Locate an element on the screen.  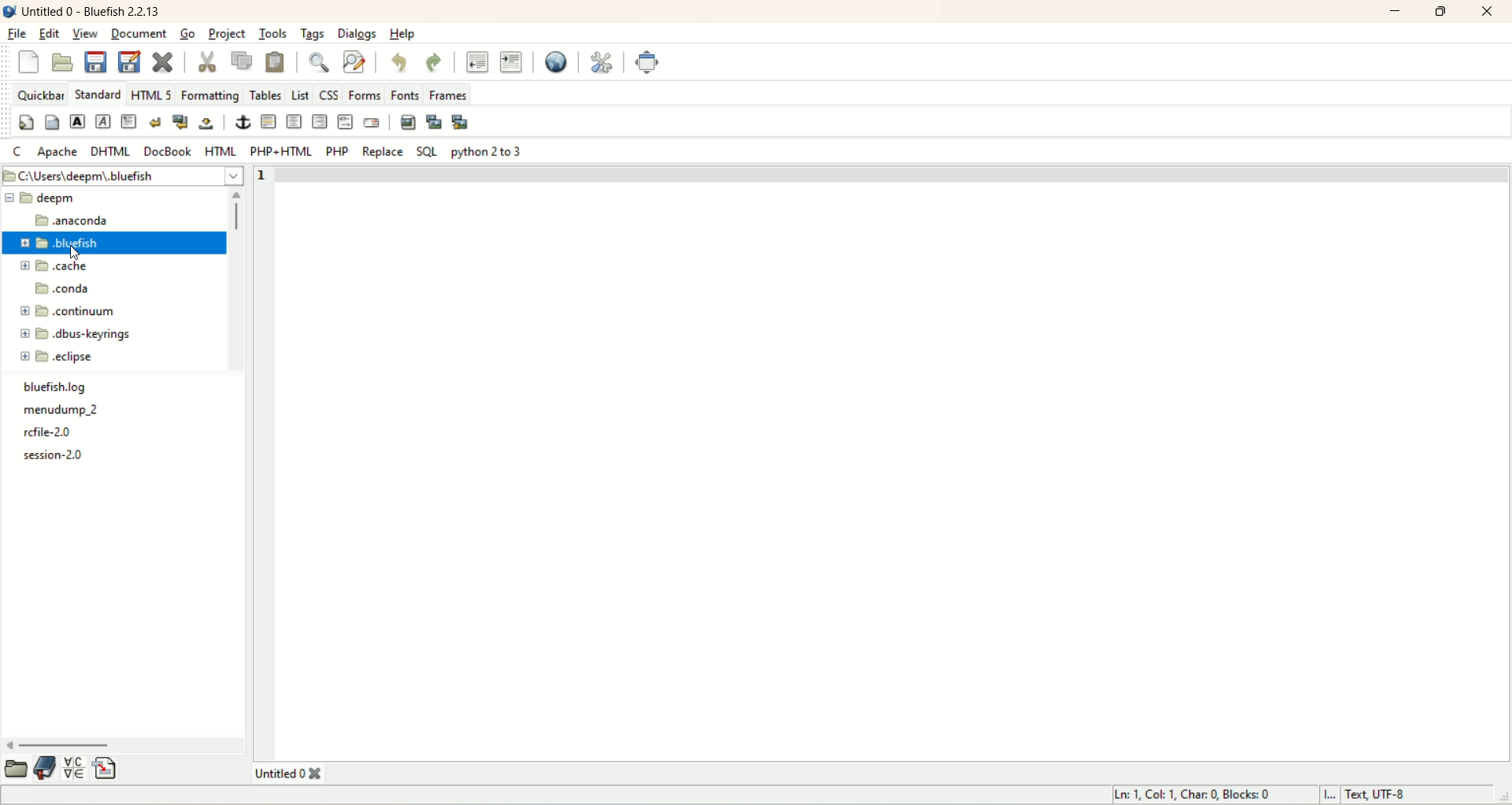
quickbar is located at coordinates (39, 93).